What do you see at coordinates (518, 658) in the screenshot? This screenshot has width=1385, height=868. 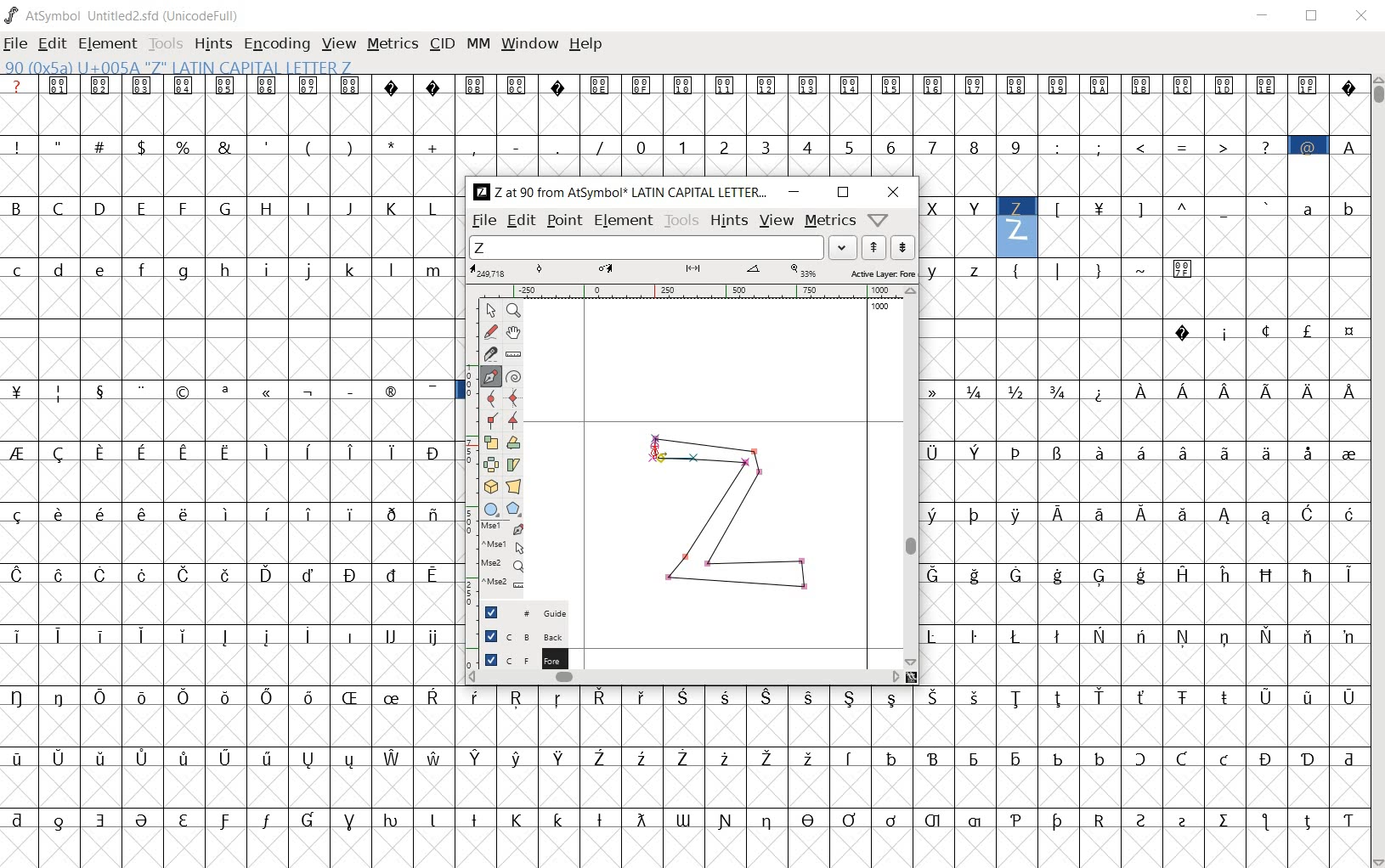 I see `Foreground` at bounding box center [518, 658].